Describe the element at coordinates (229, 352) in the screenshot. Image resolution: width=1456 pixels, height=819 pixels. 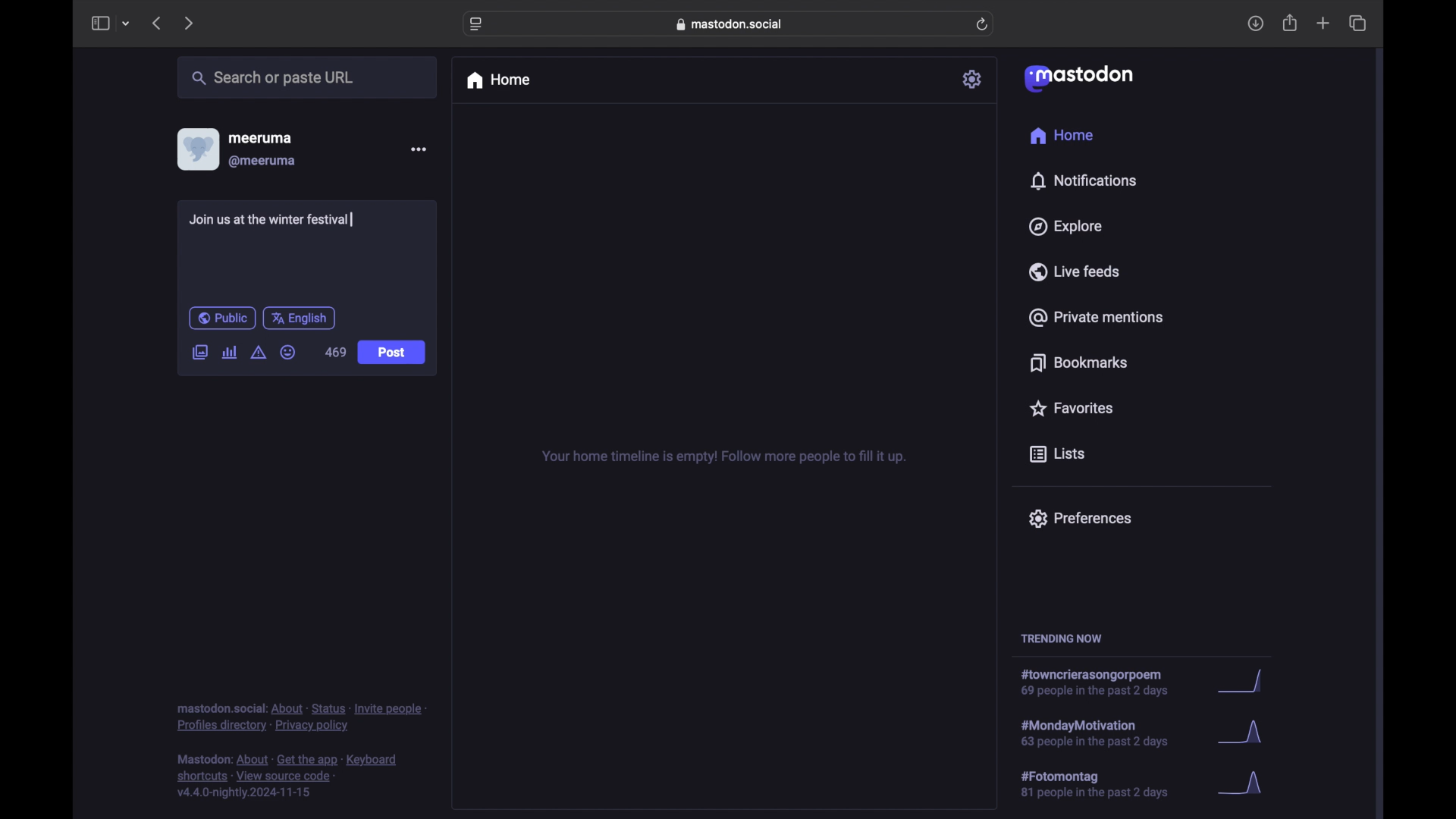
I see `add  poll` at that location.